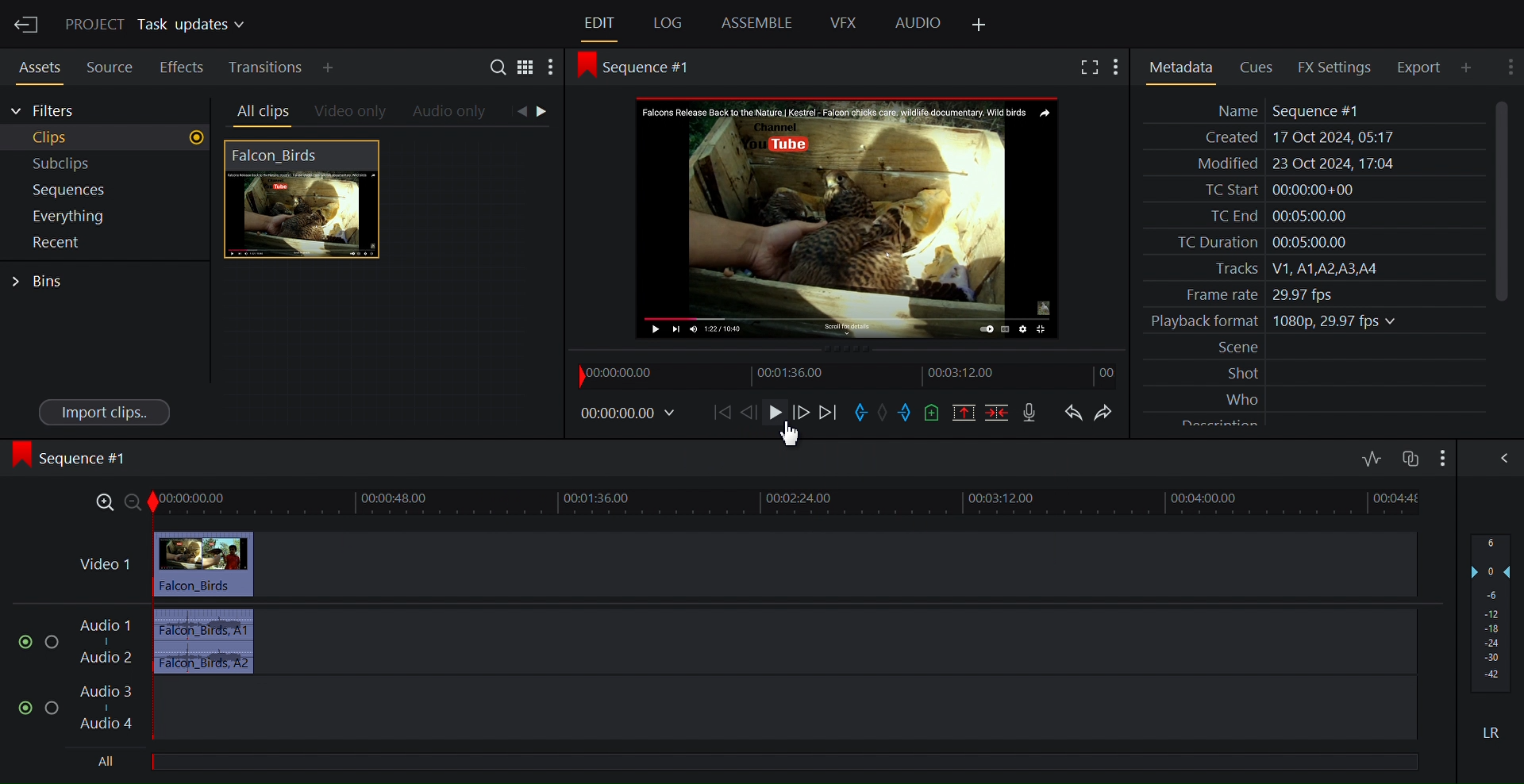 Image resolution: width=1524 pixels, height=784 pixels. What do you see at coordinates (55, 644) in the screenshot?
I see `Solo thistrack` at bounding box center [55, 644].